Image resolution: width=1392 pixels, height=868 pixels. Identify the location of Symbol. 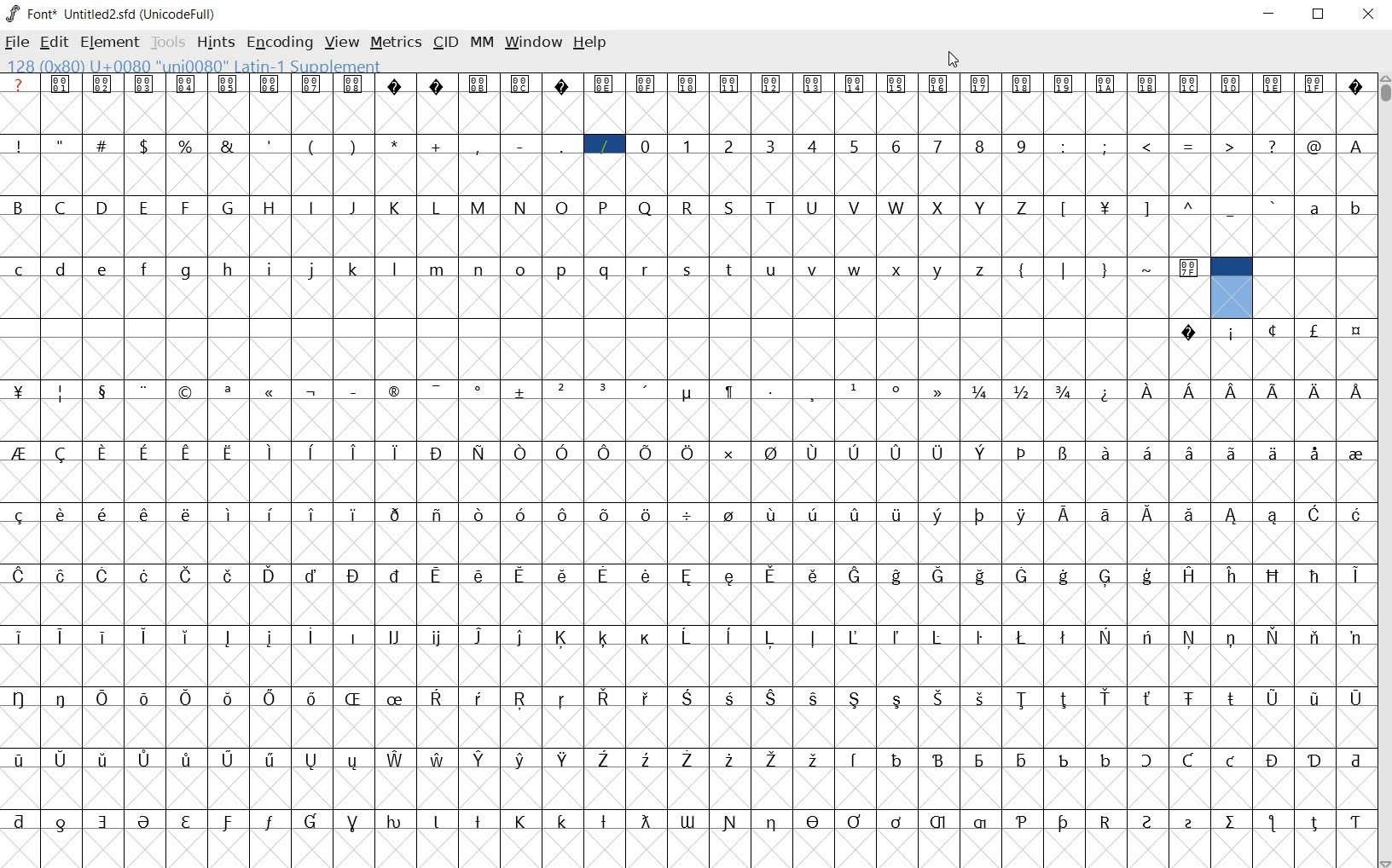
(393, 389).